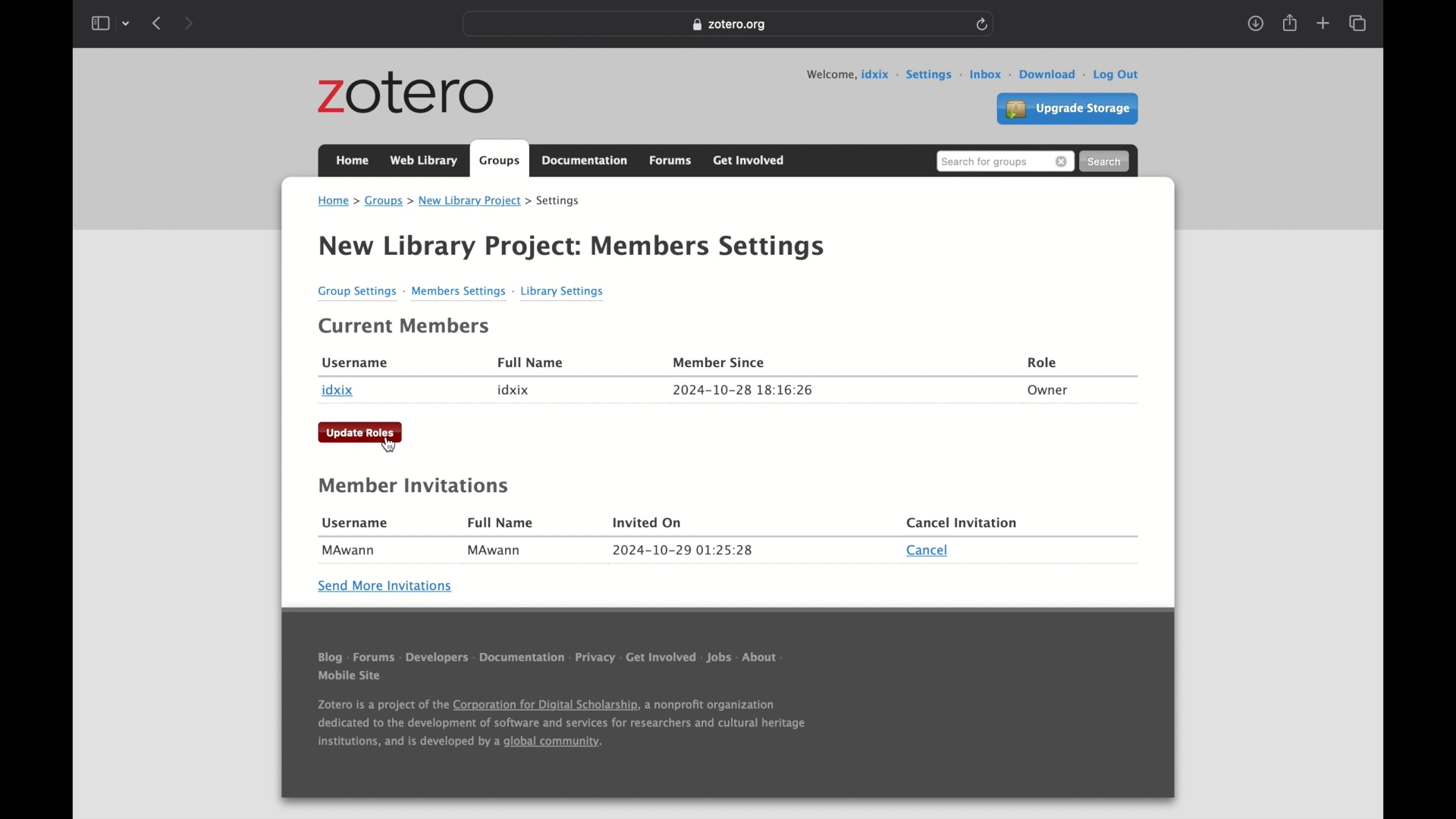 The width and height of the screenshot is (1456, 819). I want to click on inbox, so click(990, 74).